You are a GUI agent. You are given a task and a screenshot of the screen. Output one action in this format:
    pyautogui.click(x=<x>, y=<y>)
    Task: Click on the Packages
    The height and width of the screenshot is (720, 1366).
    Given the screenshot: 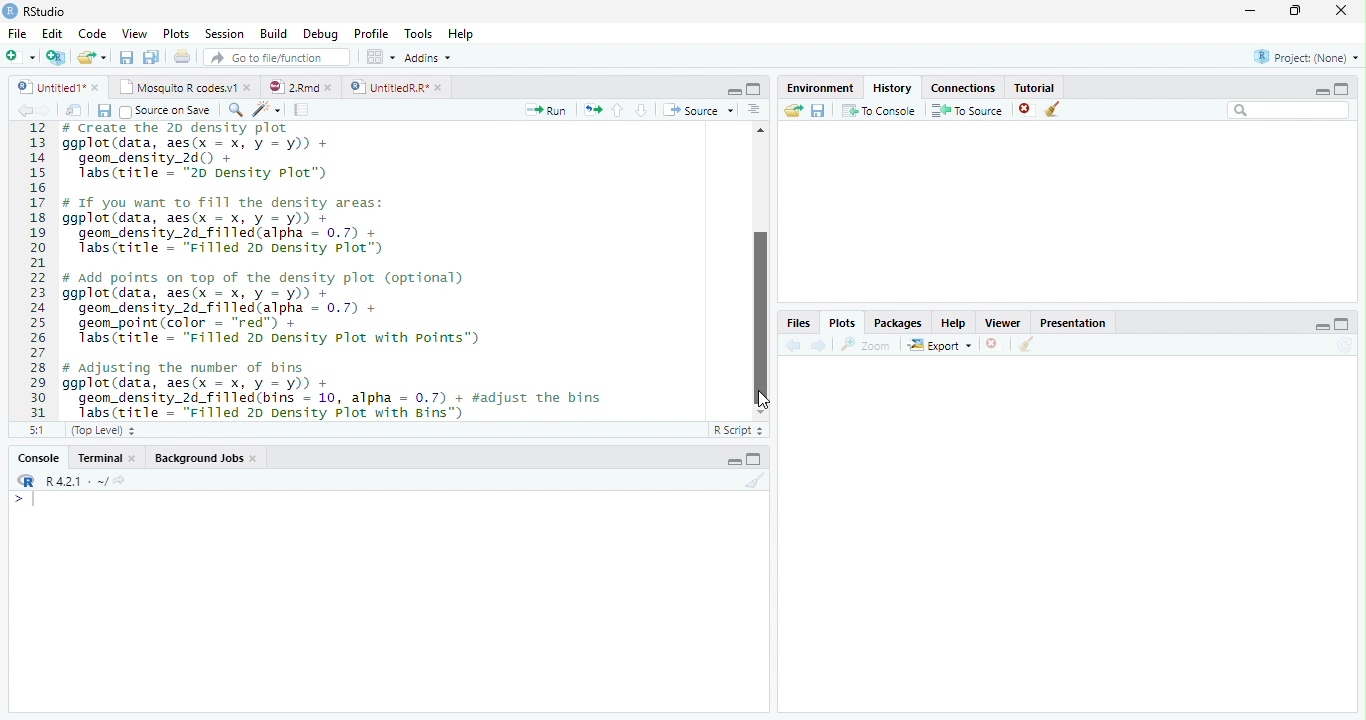 What is the action you would take?
    pyautogui.click(x=897, y=325)
    